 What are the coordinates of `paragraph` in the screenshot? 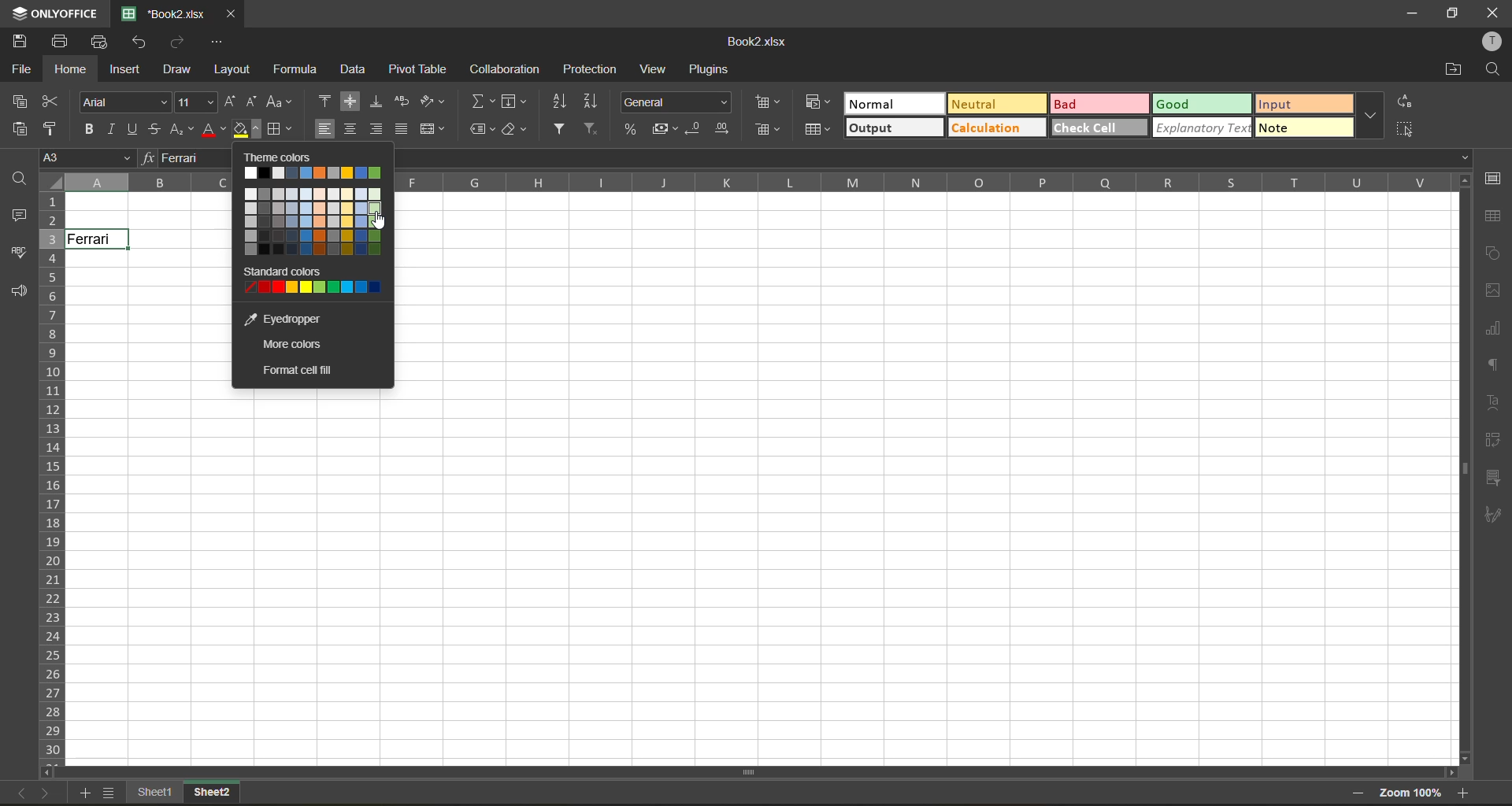 It's located at (1495, 365).